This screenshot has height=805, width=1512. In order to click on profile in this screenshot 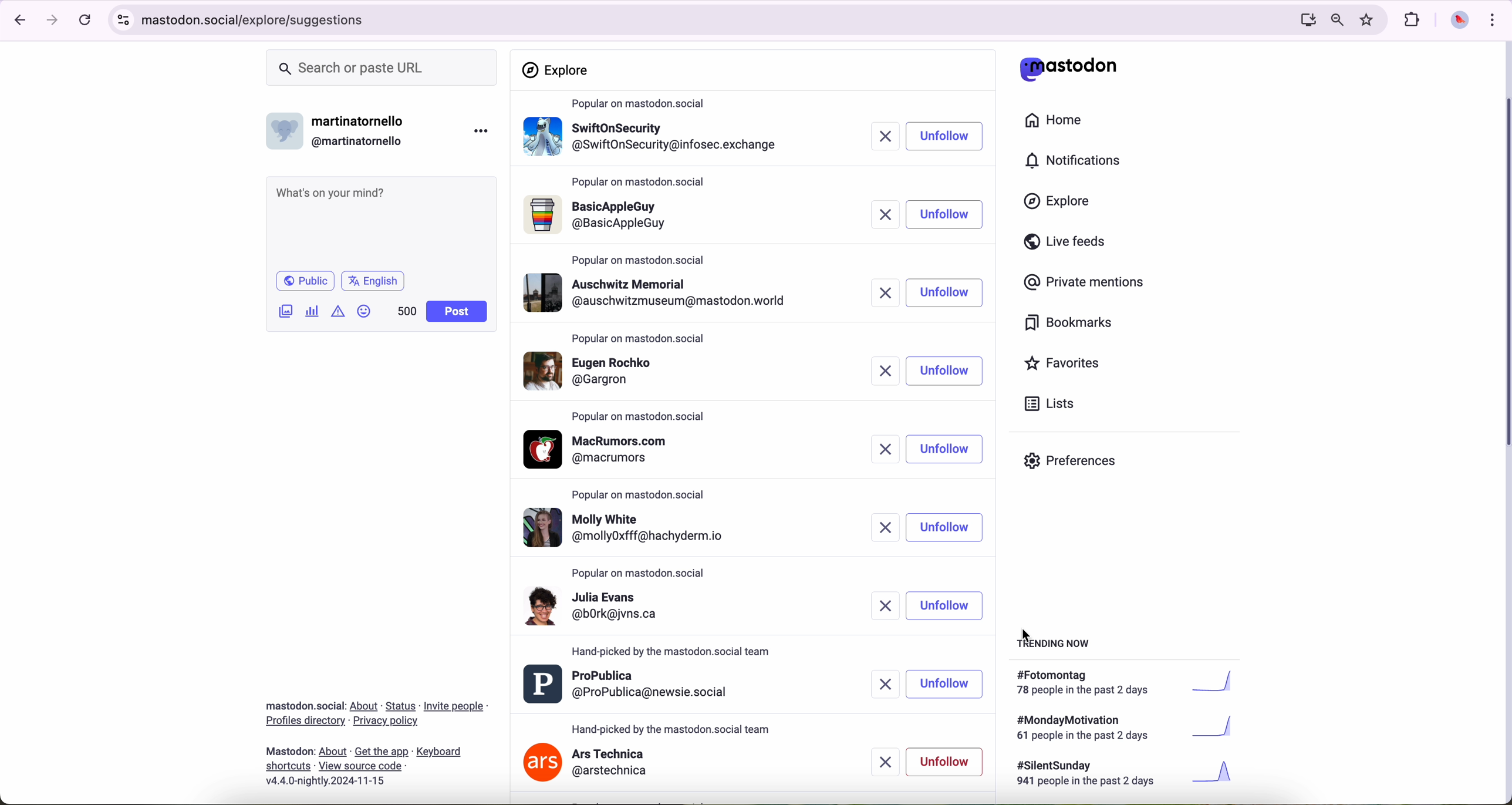, I will do `click(653, 373)`.